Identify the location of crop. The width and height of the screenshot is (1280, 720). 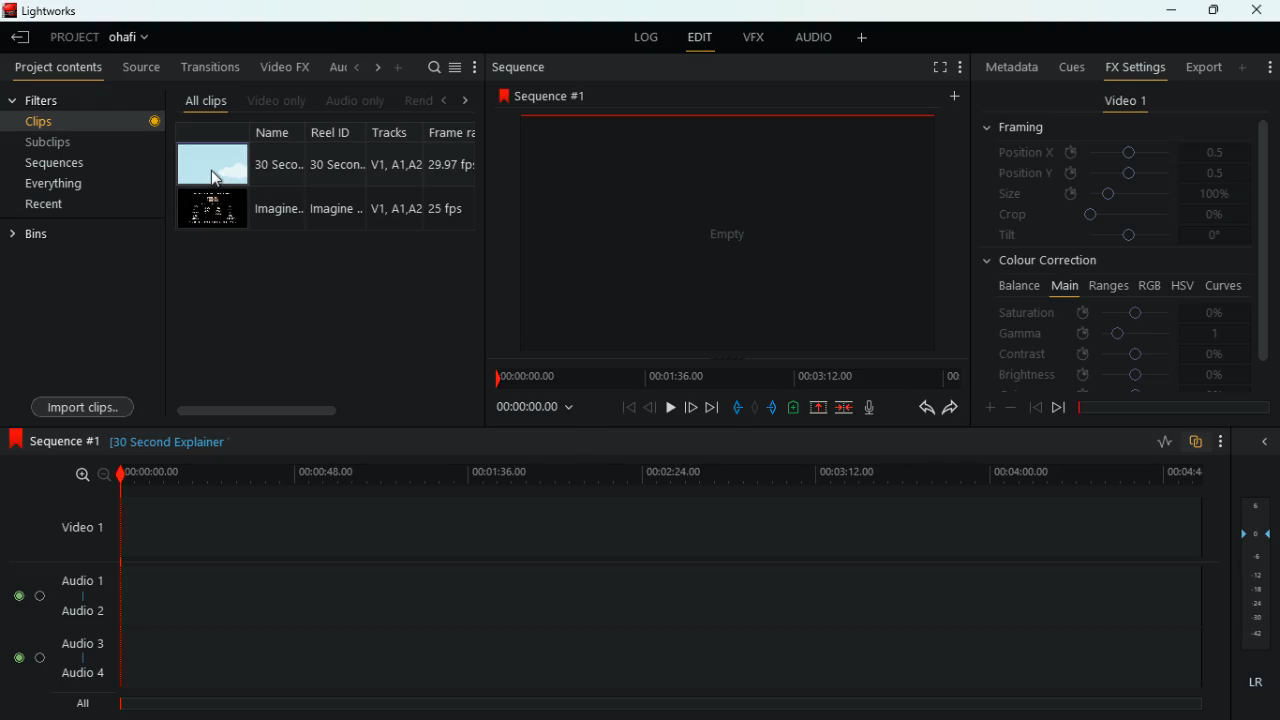
(1113, 217).